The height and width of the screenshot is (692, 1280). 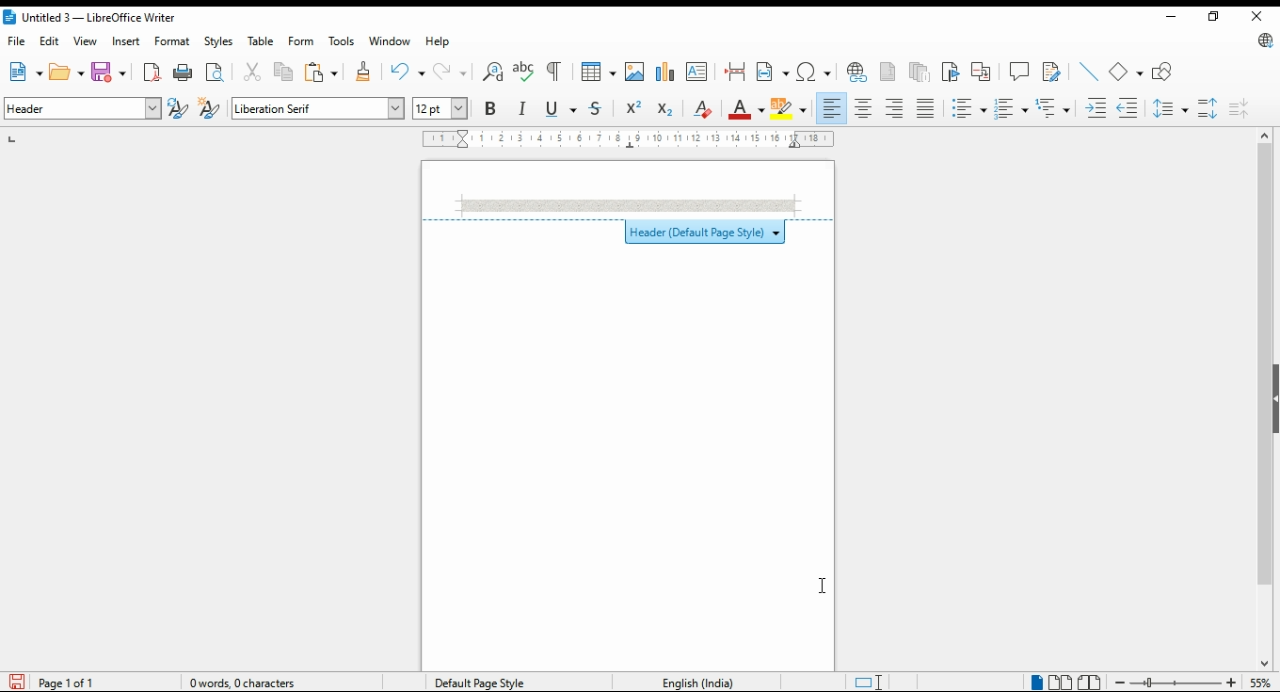 What do you see at coordinates (737, 72) in the screenshot?
I see `insert page break` at bounding box center [737, 72].